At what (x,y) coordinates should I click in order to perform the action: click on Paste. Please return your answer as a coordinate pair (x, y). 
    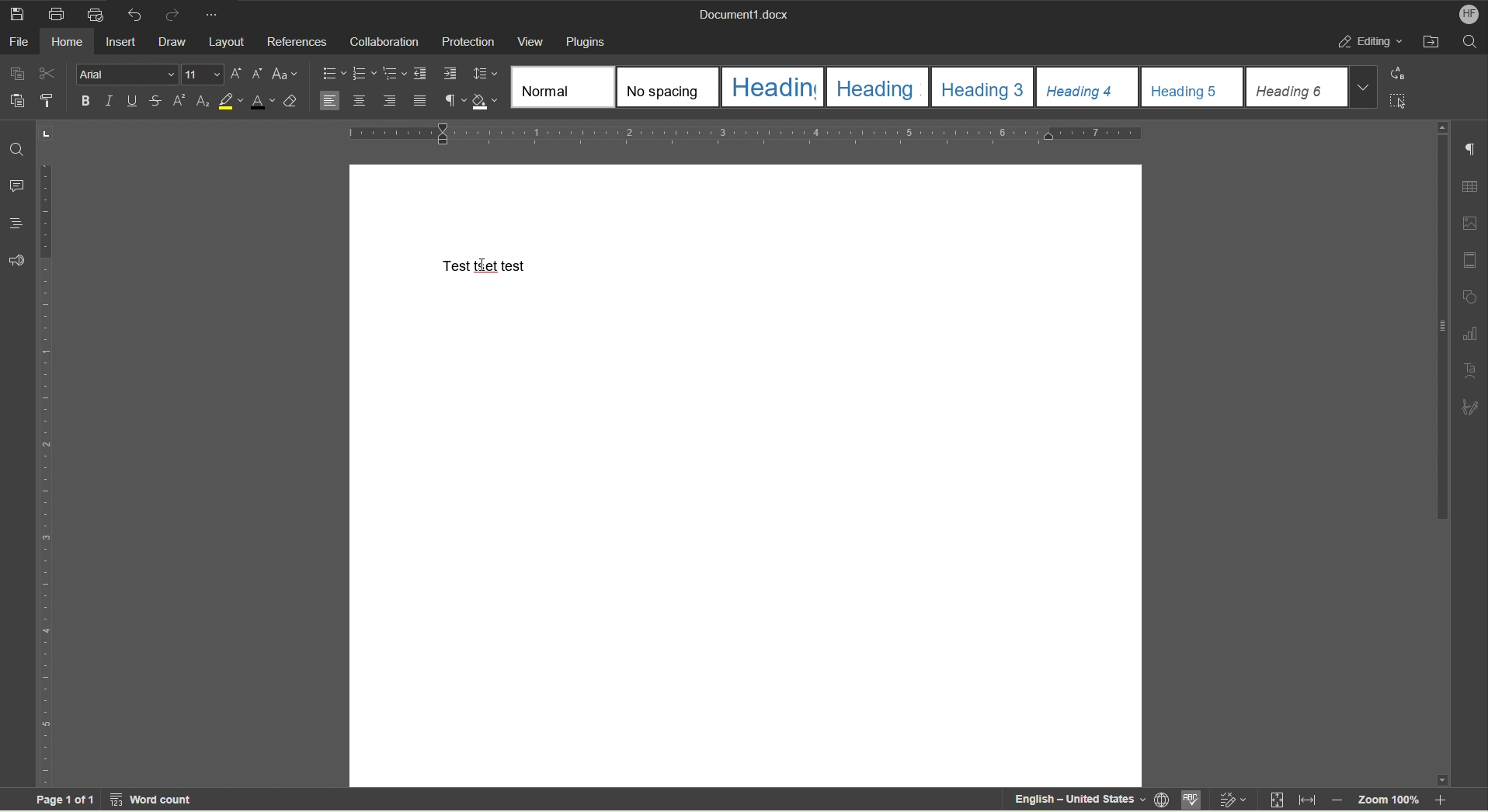
    Looking at the image, I should click on (14, 99).